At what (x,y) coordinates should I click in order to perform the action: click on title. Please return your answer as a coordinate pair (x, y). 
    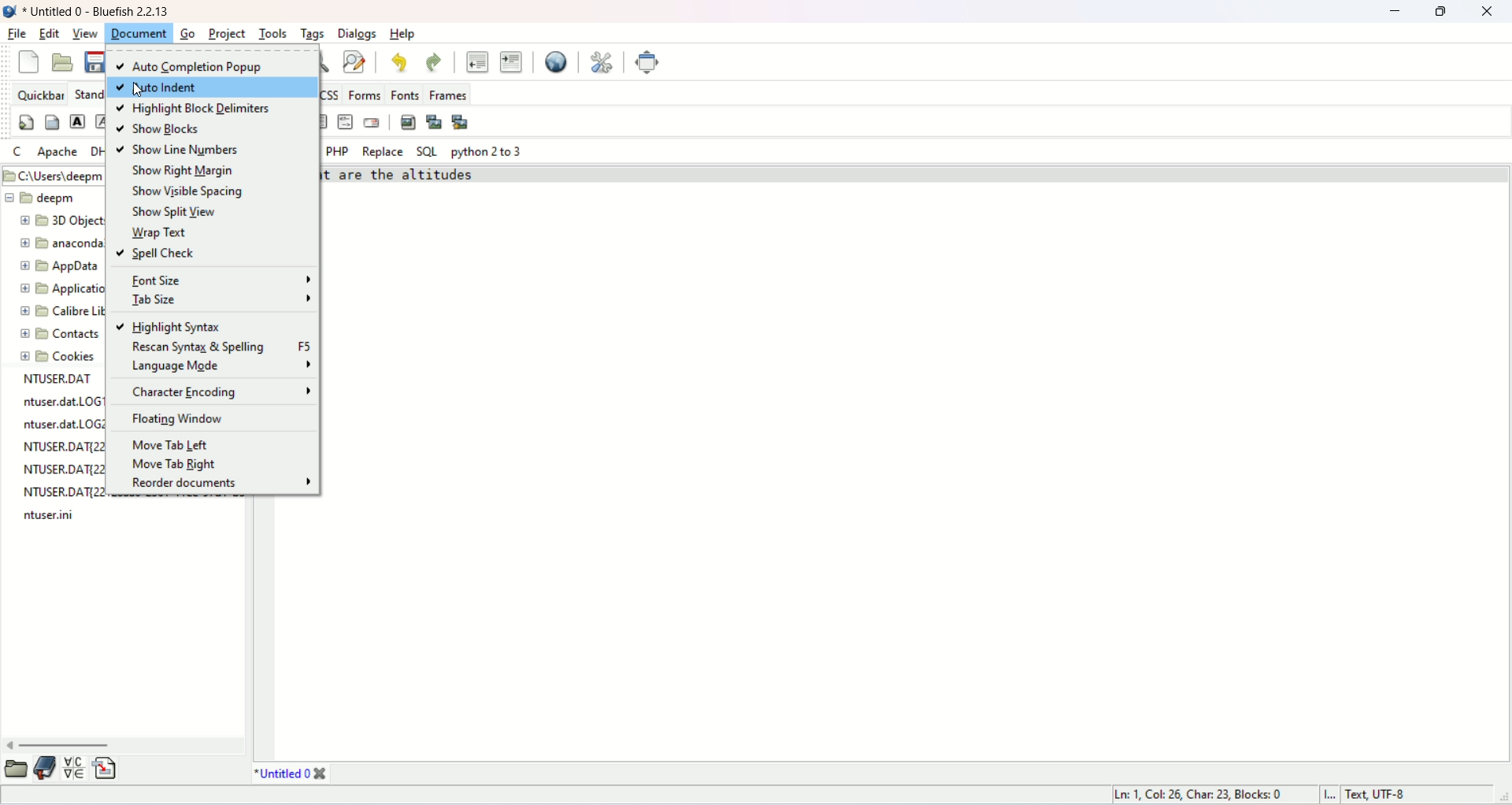
    Looking at the image, I should click on (98, 13).